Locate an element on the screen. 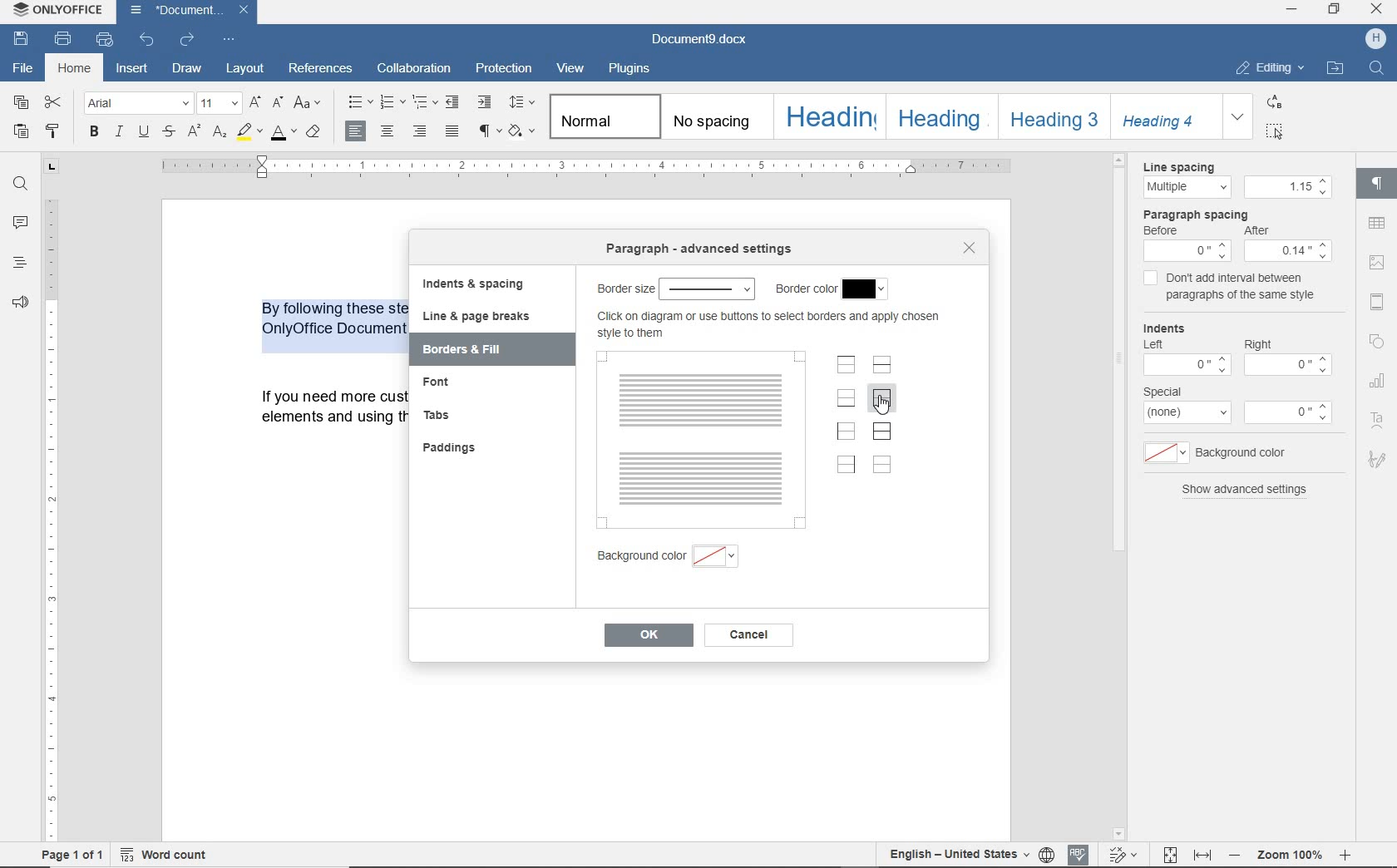 Image resolution: width=1397 pixels, height=868 pixels. paddings is located at coordinates (454, 448).